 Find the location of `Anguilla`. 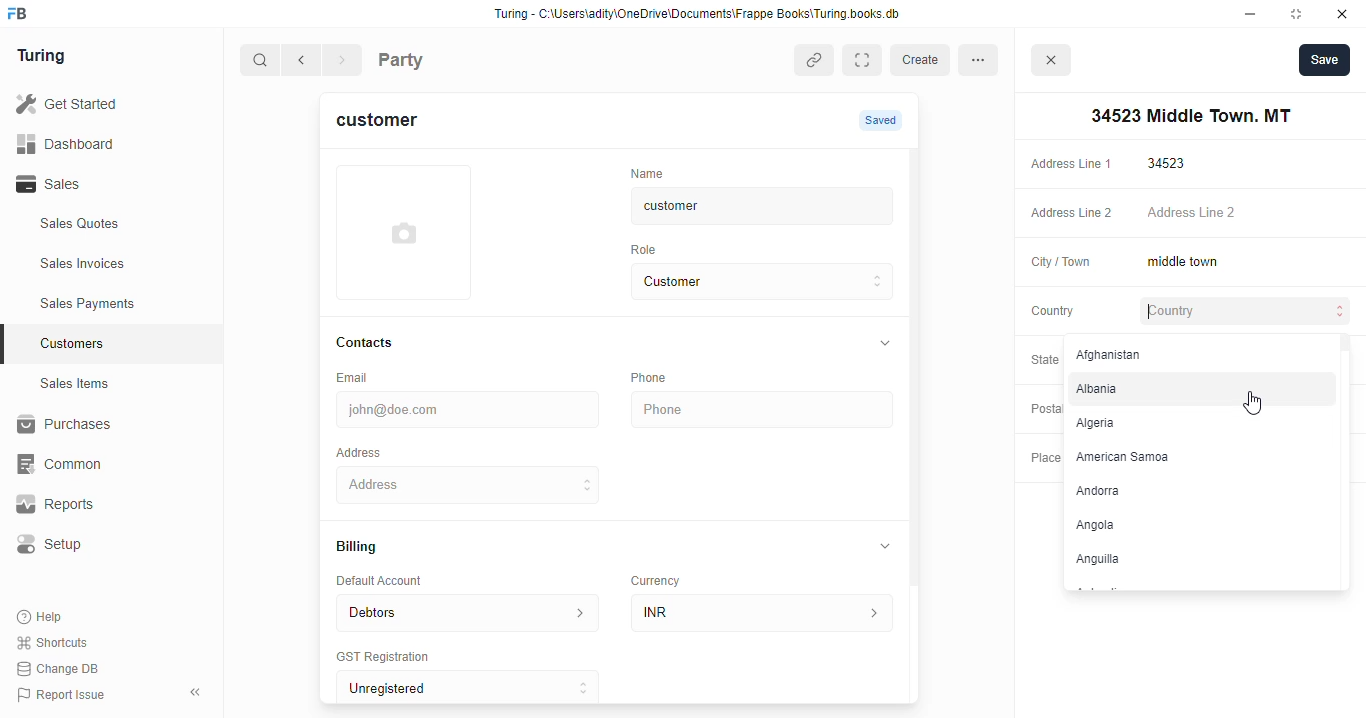

Anguilla is located at coordinates (1191, 559).